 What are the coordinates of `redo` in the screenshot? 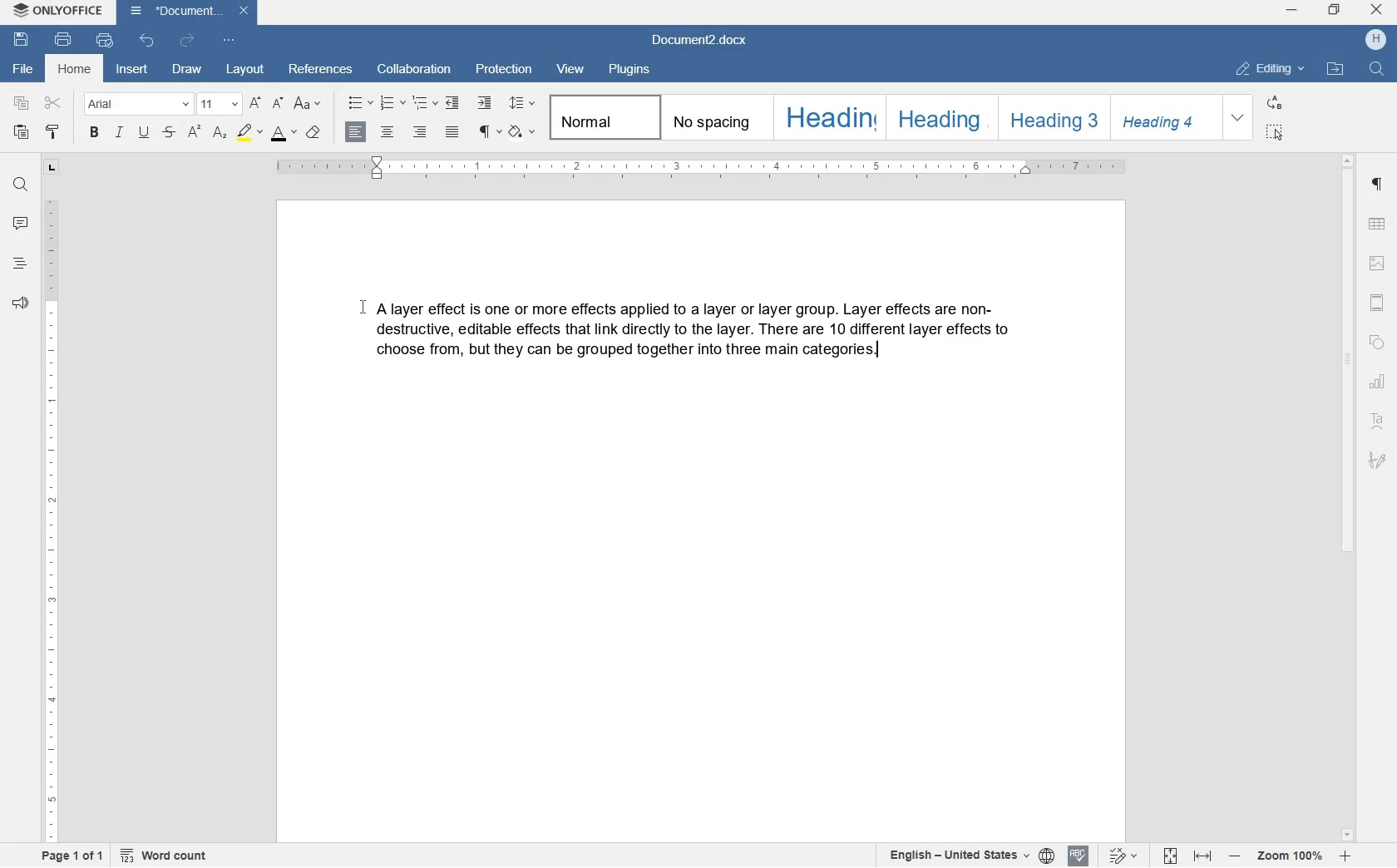 It's located at (184, 42).